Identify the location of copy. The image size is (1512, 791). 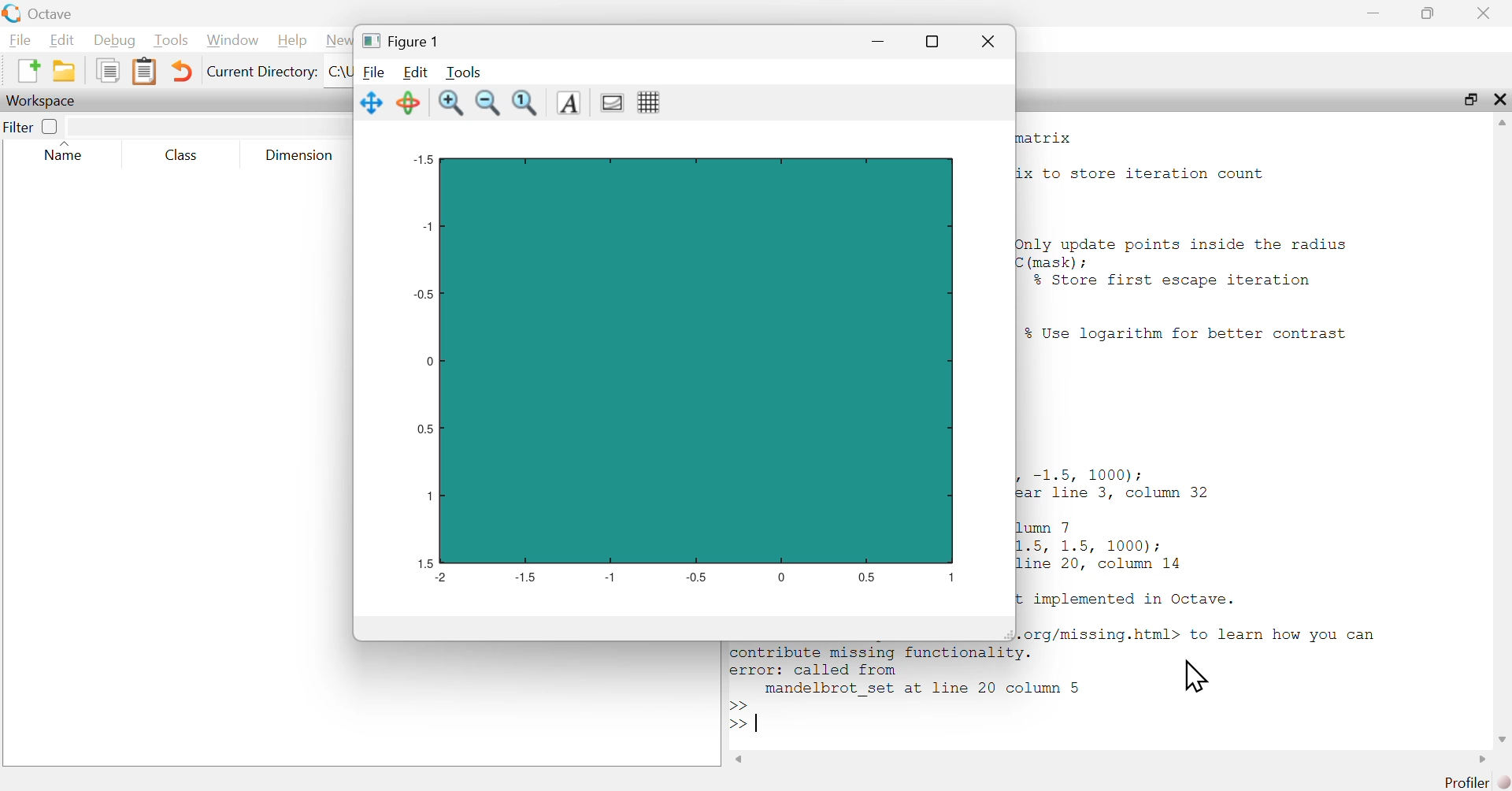
(107, 71).